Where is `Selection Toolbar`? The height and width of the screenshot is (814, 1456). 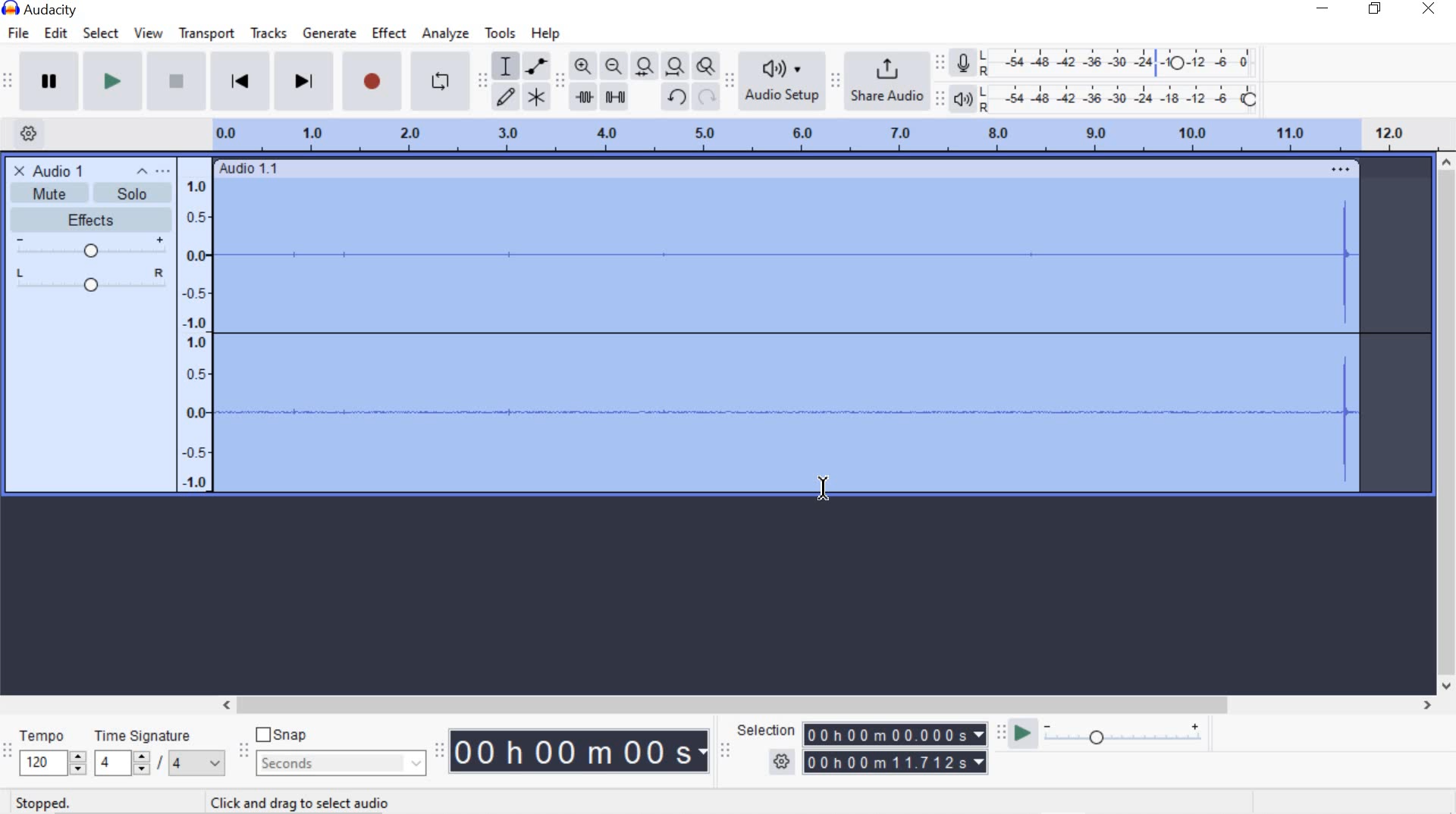
Selection Toolbar is located at coordinates (724, 750).